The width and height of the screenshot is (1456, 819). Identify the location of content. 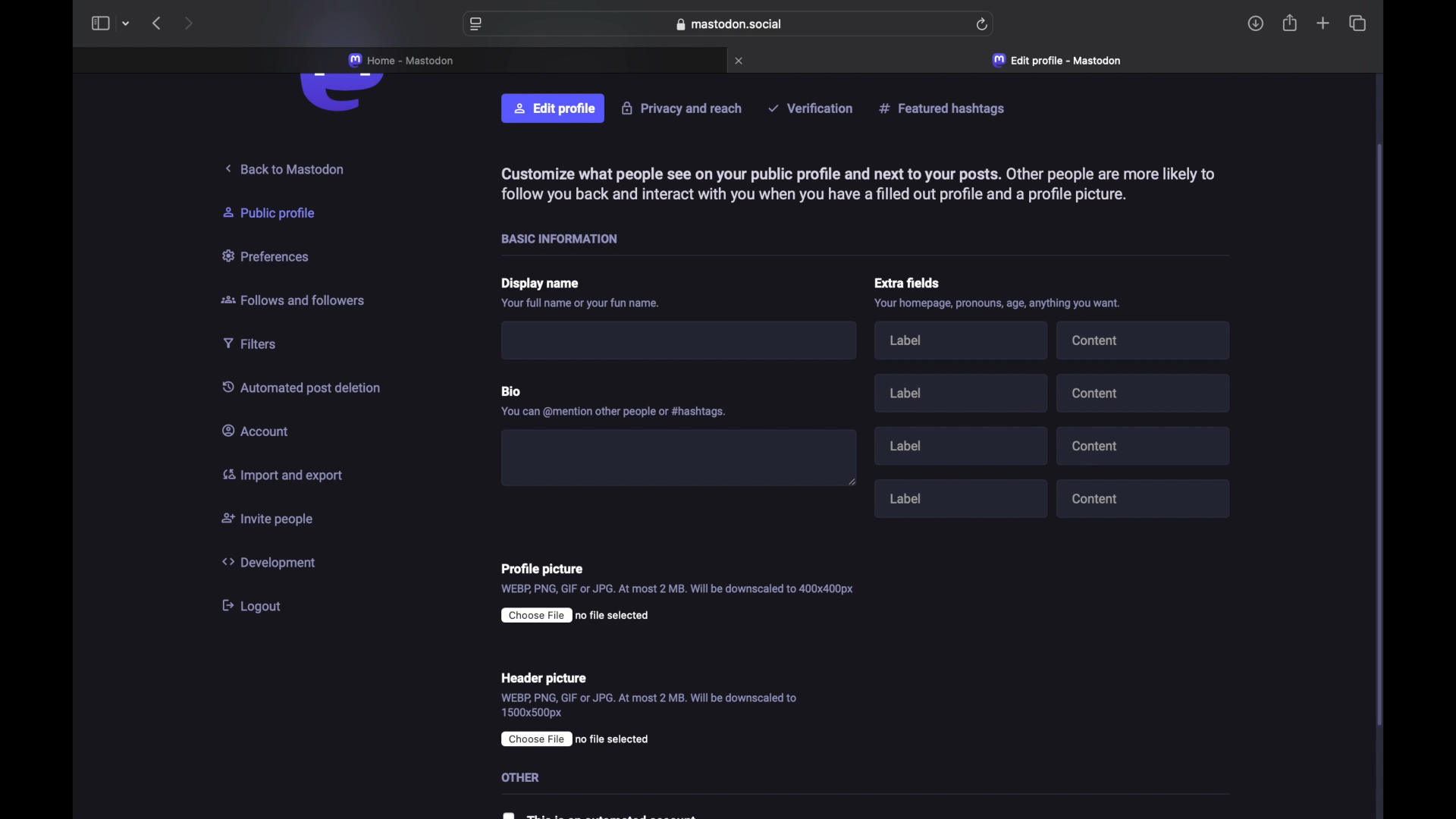
(1143, 340).